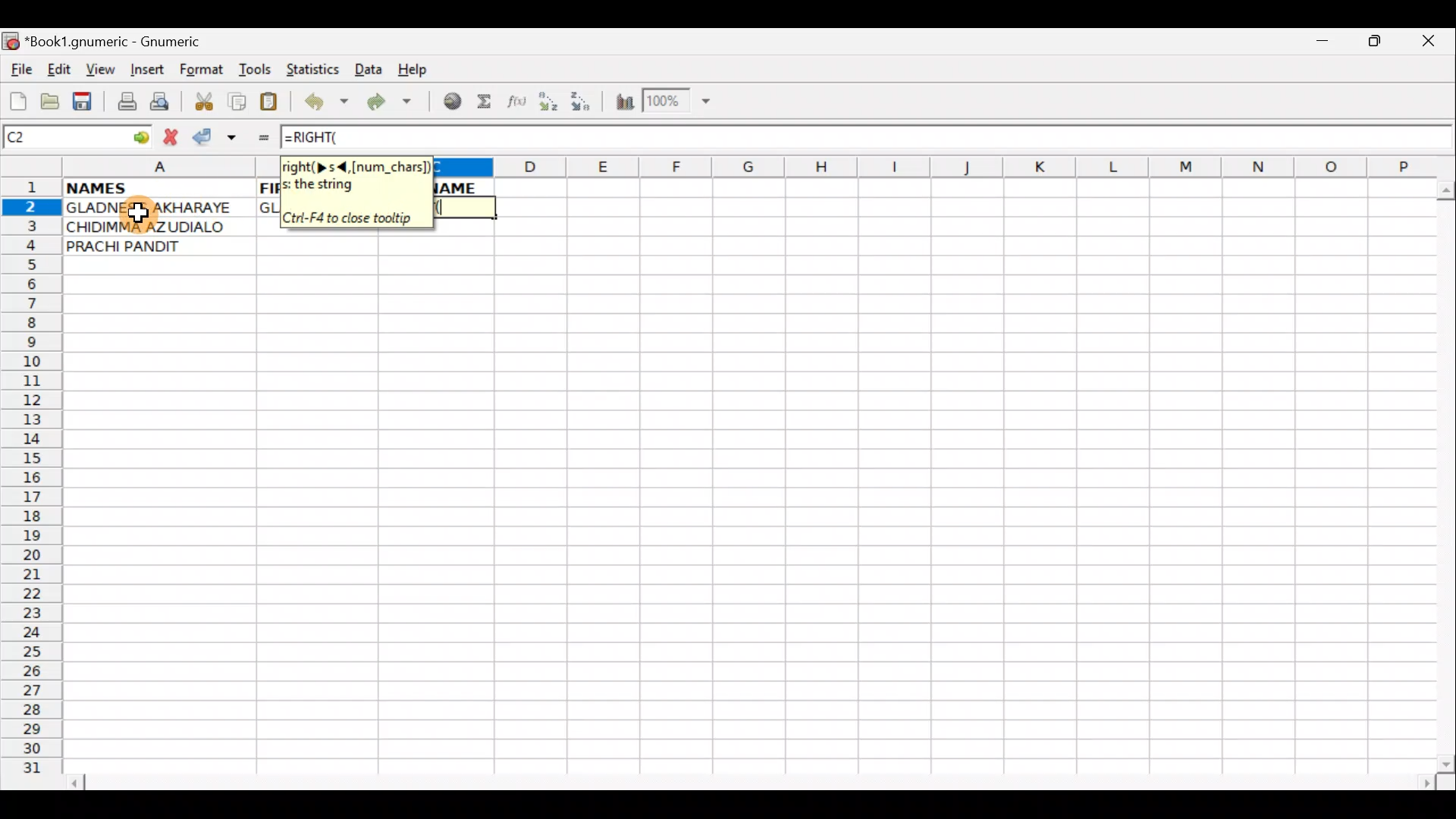  Describe the element at coordinates (17, 99) in the screenshot. I see `Create new workbook` at that location.